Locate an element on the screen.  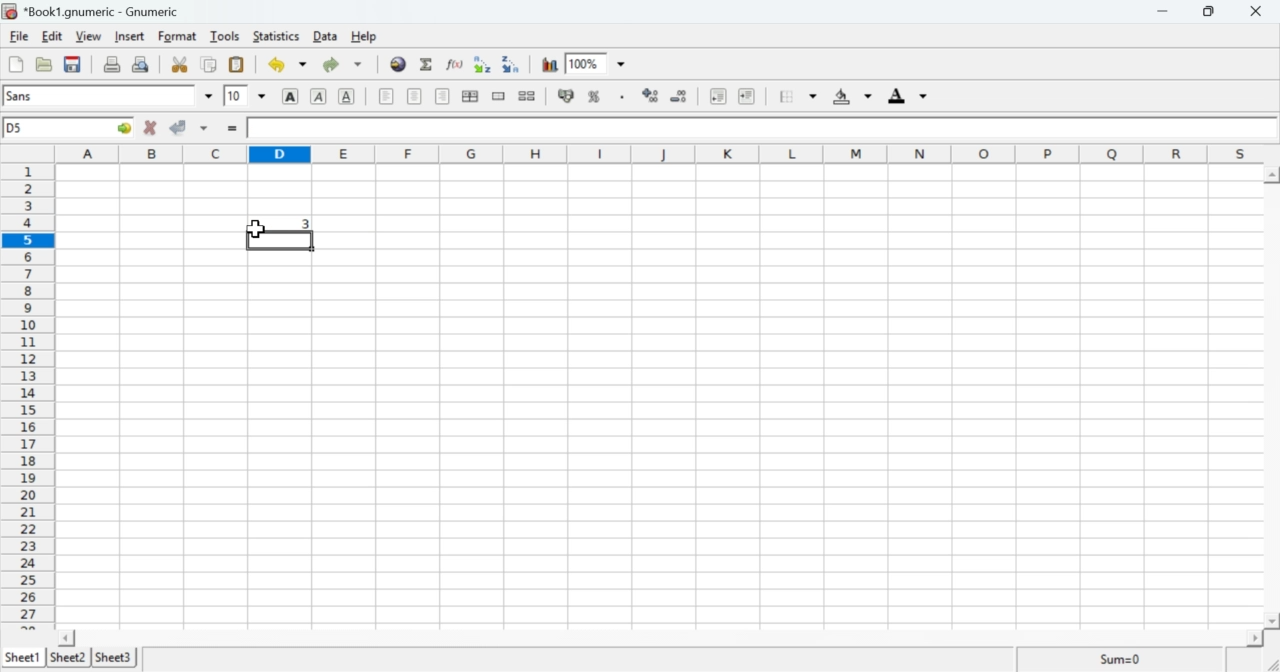
Format is located at coordinates (176, 37).